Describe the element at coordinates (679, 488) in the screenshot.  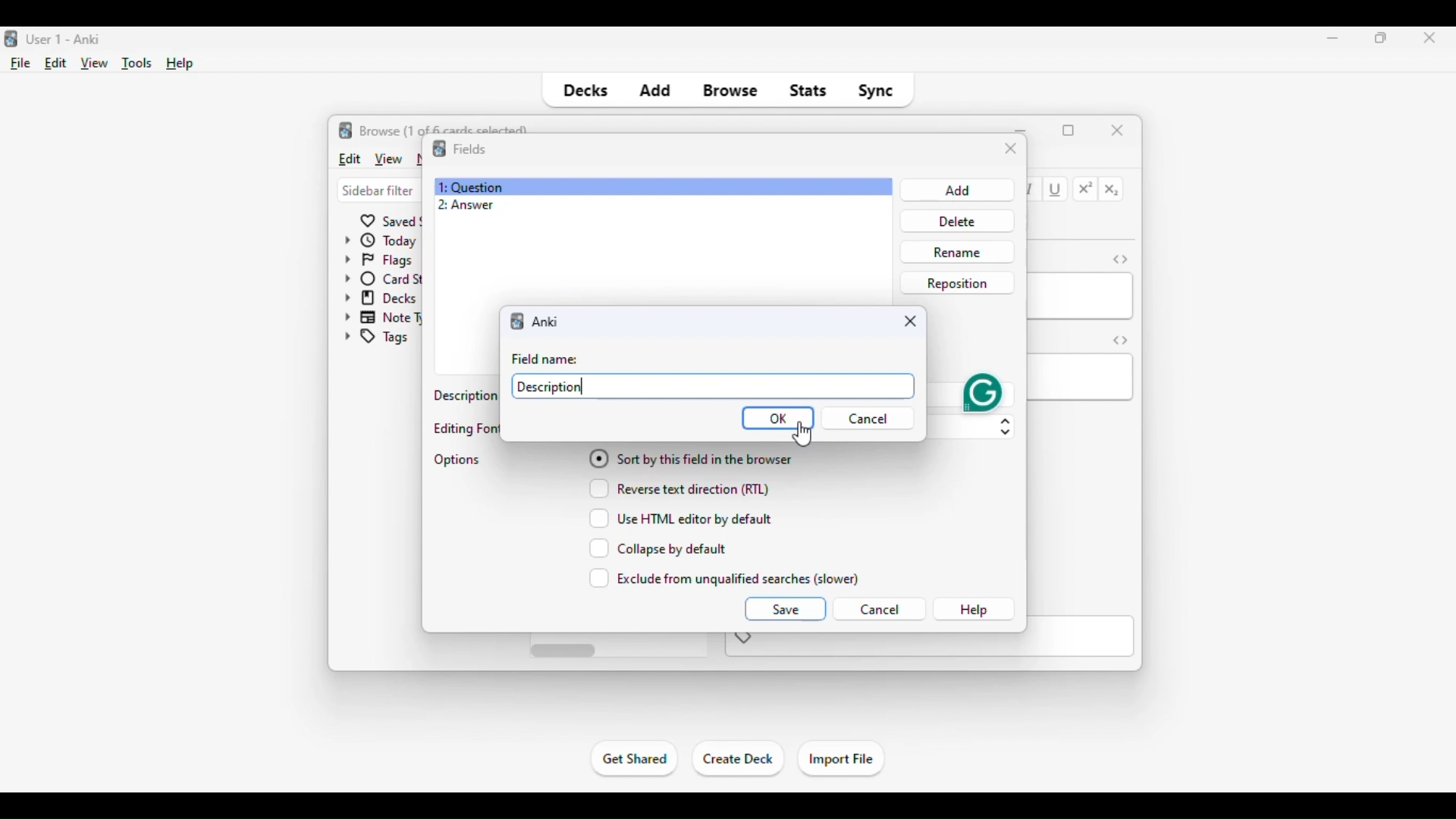
I see `reverse text direction (RTL)` at that location.